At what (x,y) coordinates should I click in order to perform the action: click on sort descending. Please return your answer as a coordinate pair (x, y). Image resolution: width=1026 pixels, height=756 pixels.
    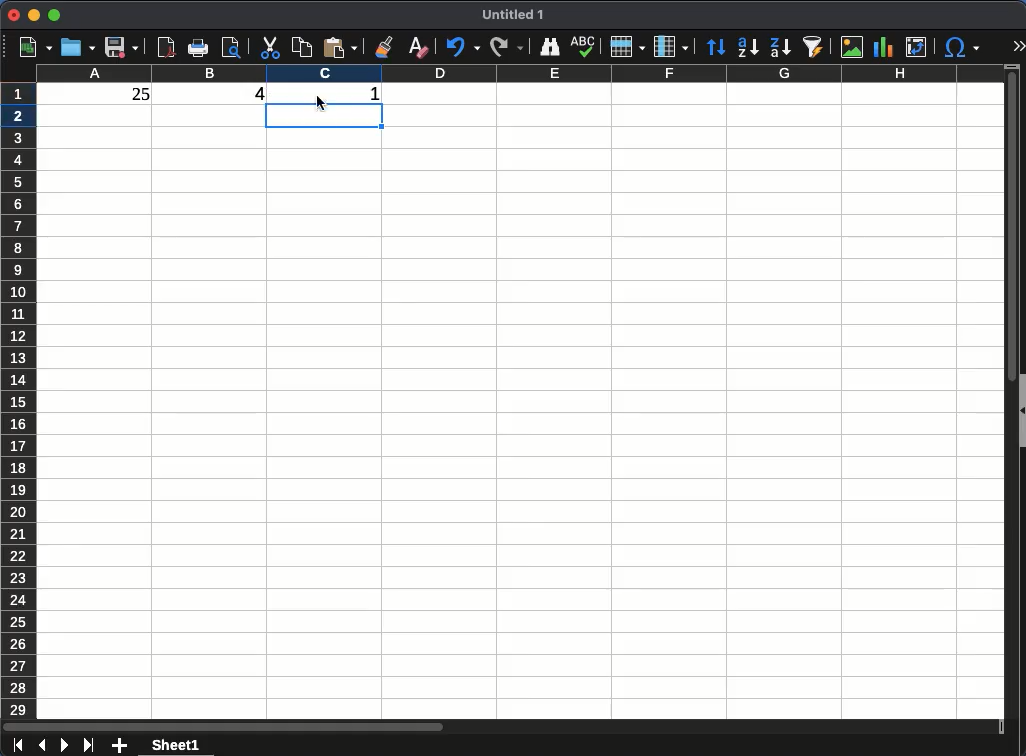
    Looking at the image, I should click on (780, 47).